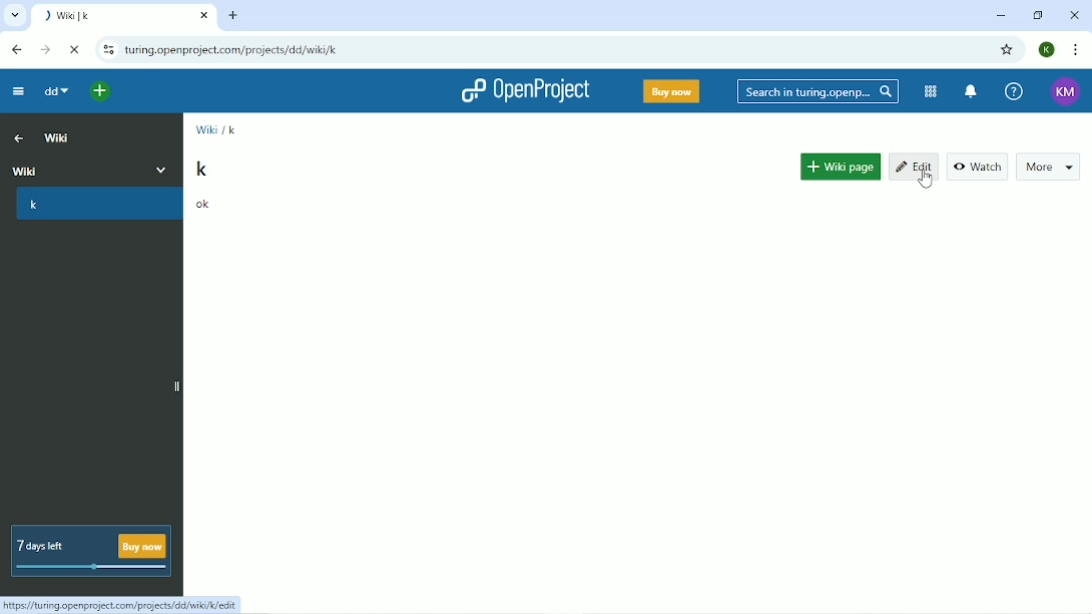 The width and height of the screenshot is (1092, 614). What do you see at coordinates (204, 204) in the screenshot?
I see `ok` at bounding box center [204, 204].